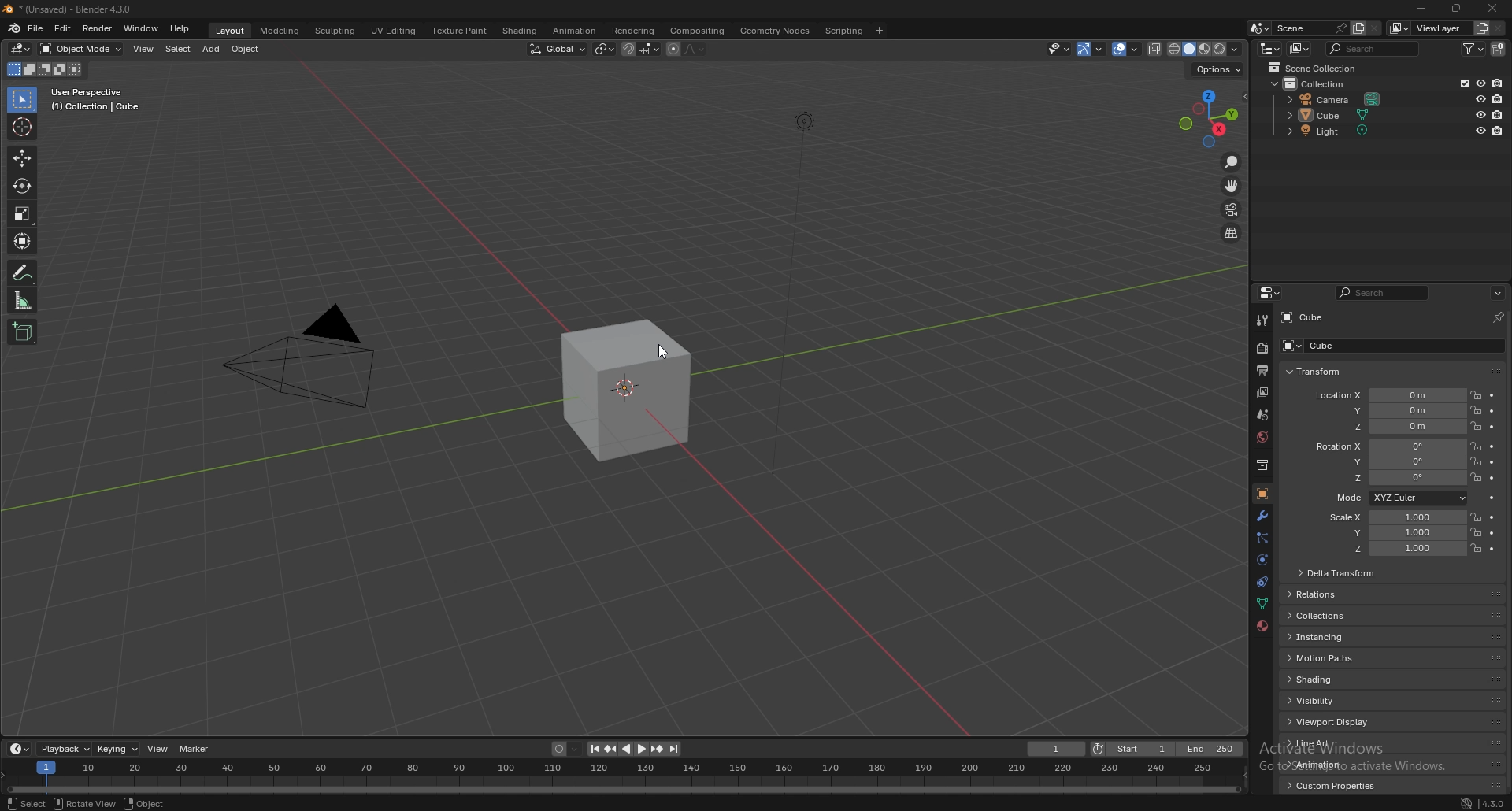 The image size is (1512, 811). What do you see at coordinates (1337, 115) in the screenshot?
I see `cube` at bounding box center [1337, 115].